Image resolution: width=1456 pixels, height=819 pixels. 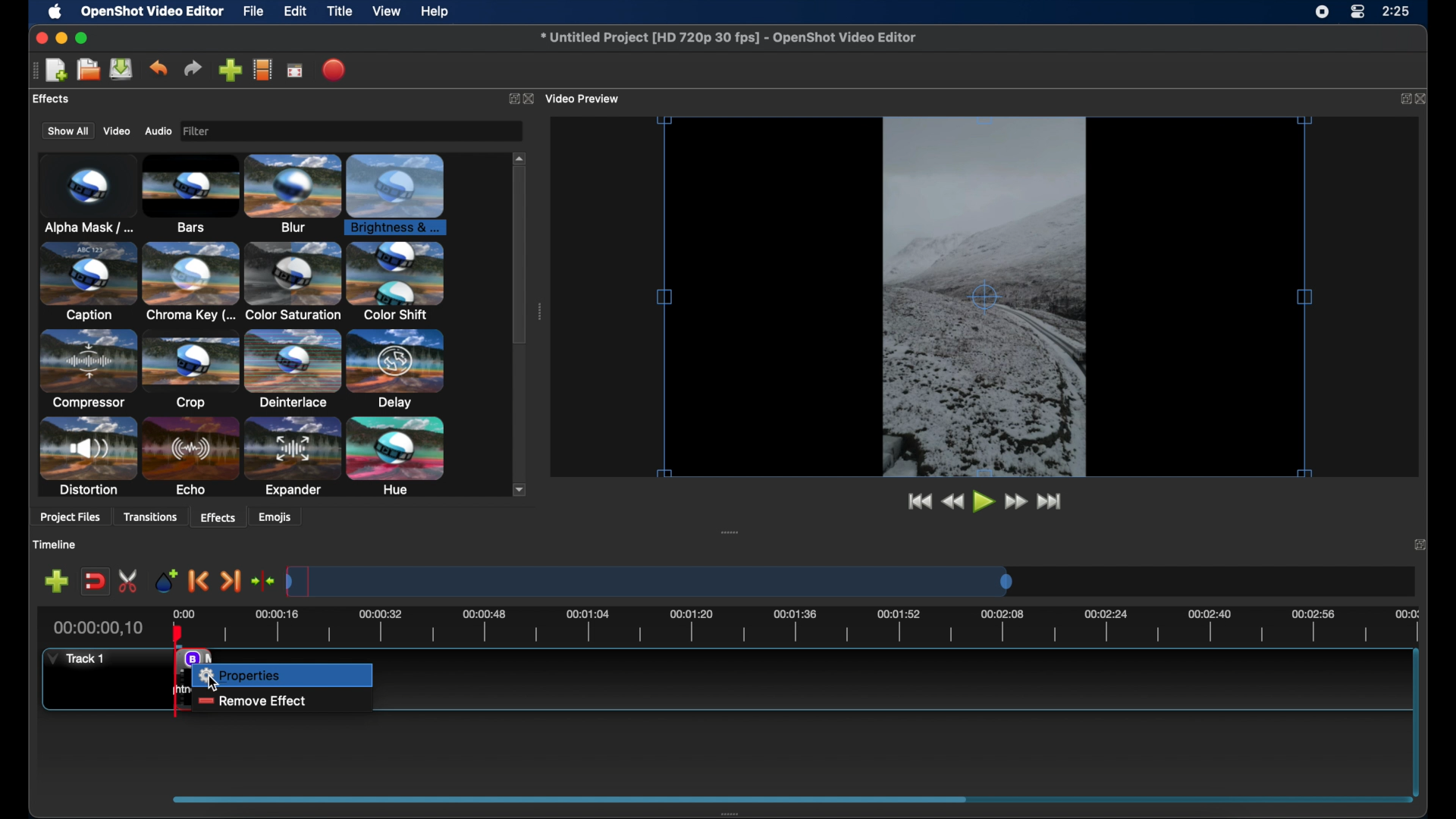 I want to click on expander, so click(x=292, y=457).